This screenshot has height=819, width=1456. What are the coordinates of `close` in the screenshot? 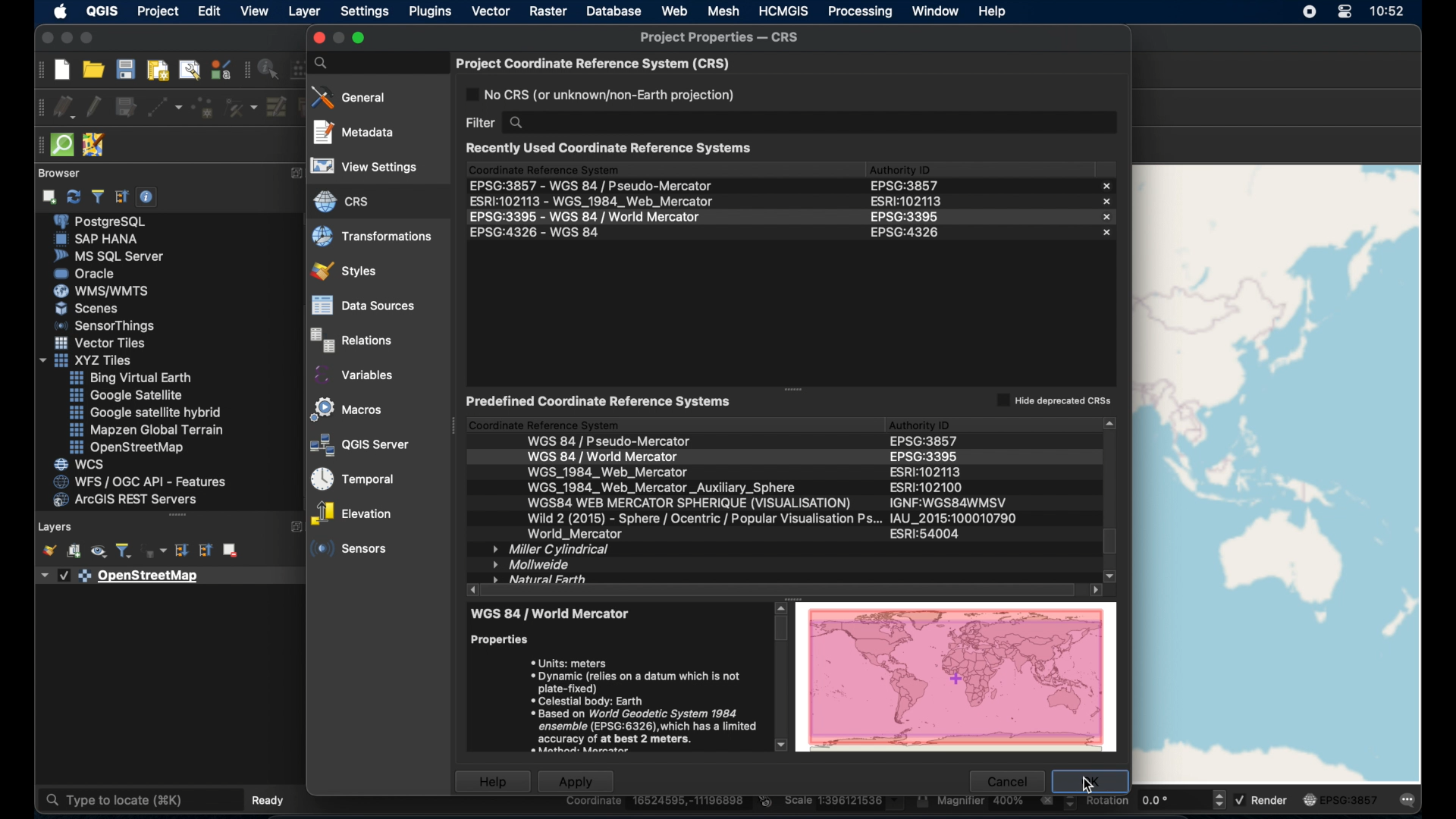 It's located at (1109, 201).